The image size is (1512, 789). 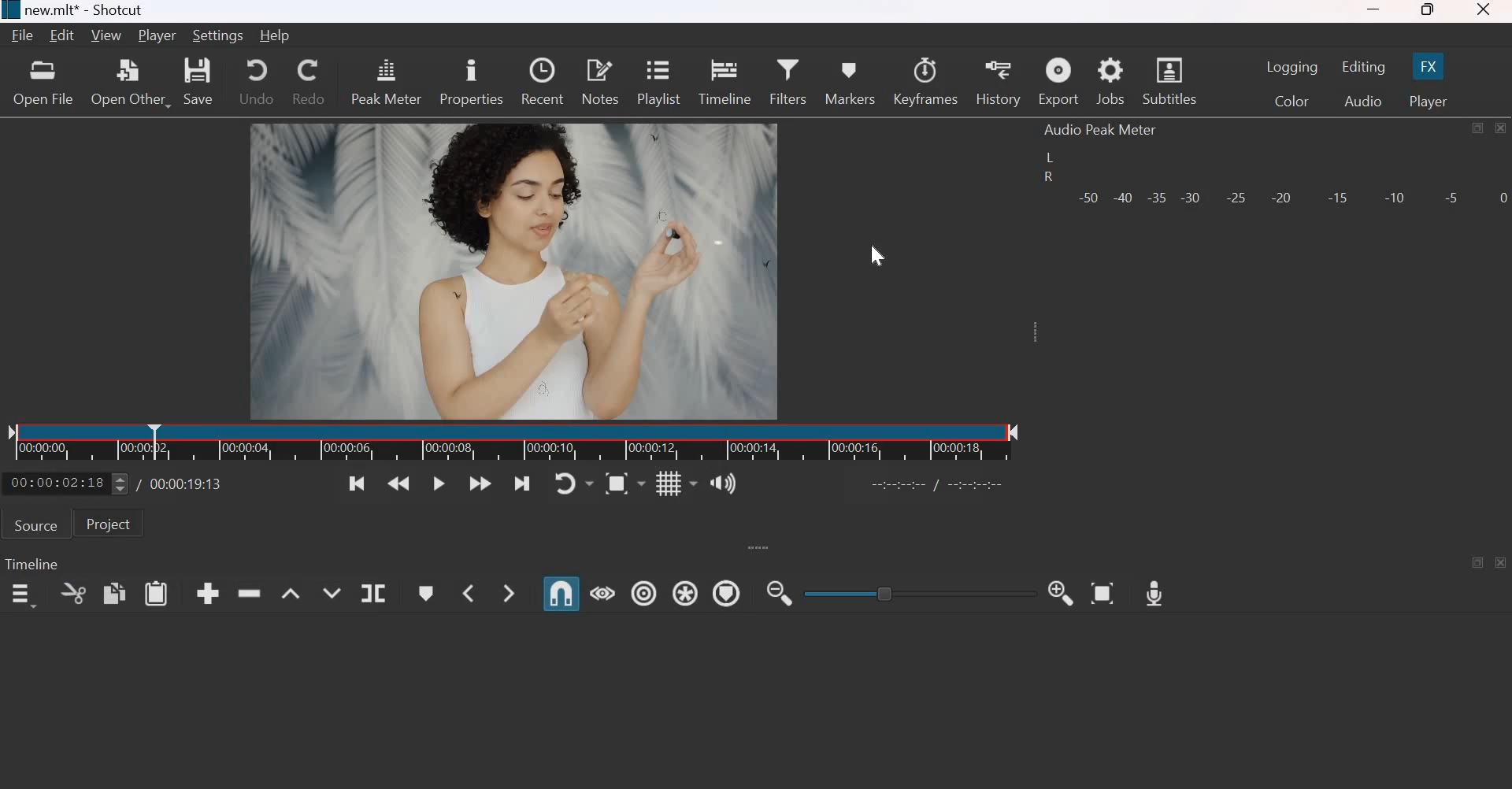 I want to click on Play quickly forwards, so click(x=481, y=483).